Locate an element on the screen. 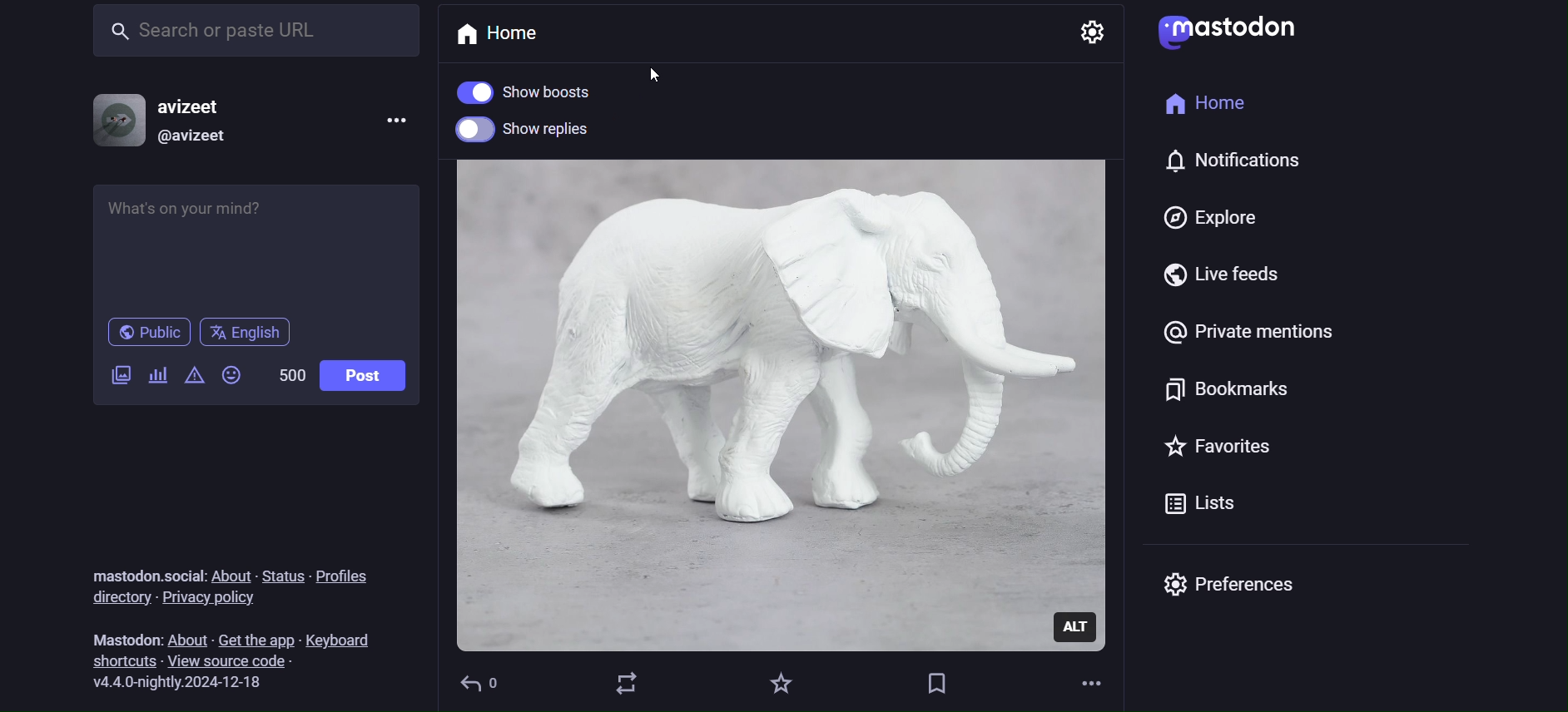 This screenshot has width=1568, height=712. menu is located at coordinates (390, 125).